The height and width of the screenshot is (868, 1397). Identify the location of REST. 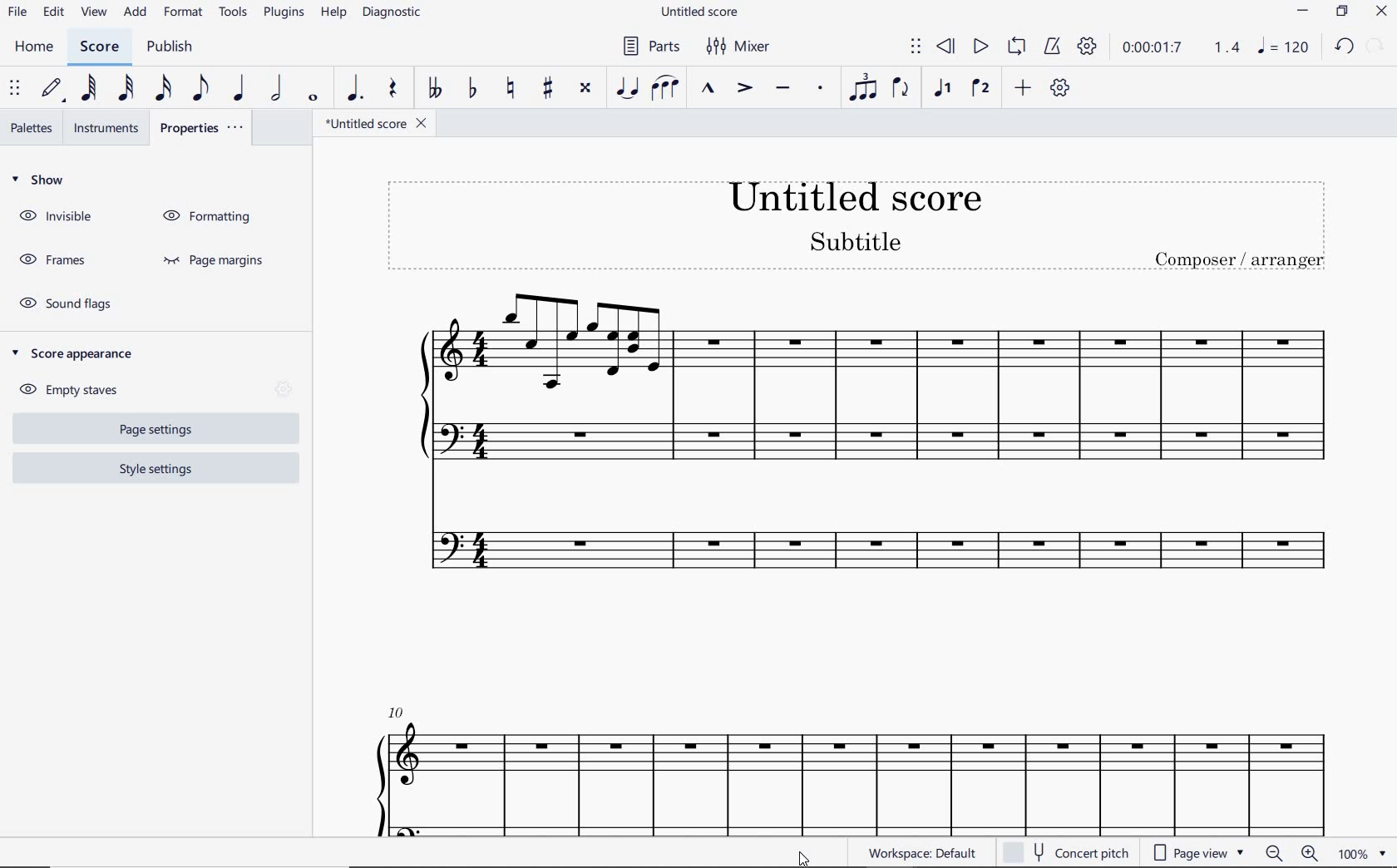
(392, 89).